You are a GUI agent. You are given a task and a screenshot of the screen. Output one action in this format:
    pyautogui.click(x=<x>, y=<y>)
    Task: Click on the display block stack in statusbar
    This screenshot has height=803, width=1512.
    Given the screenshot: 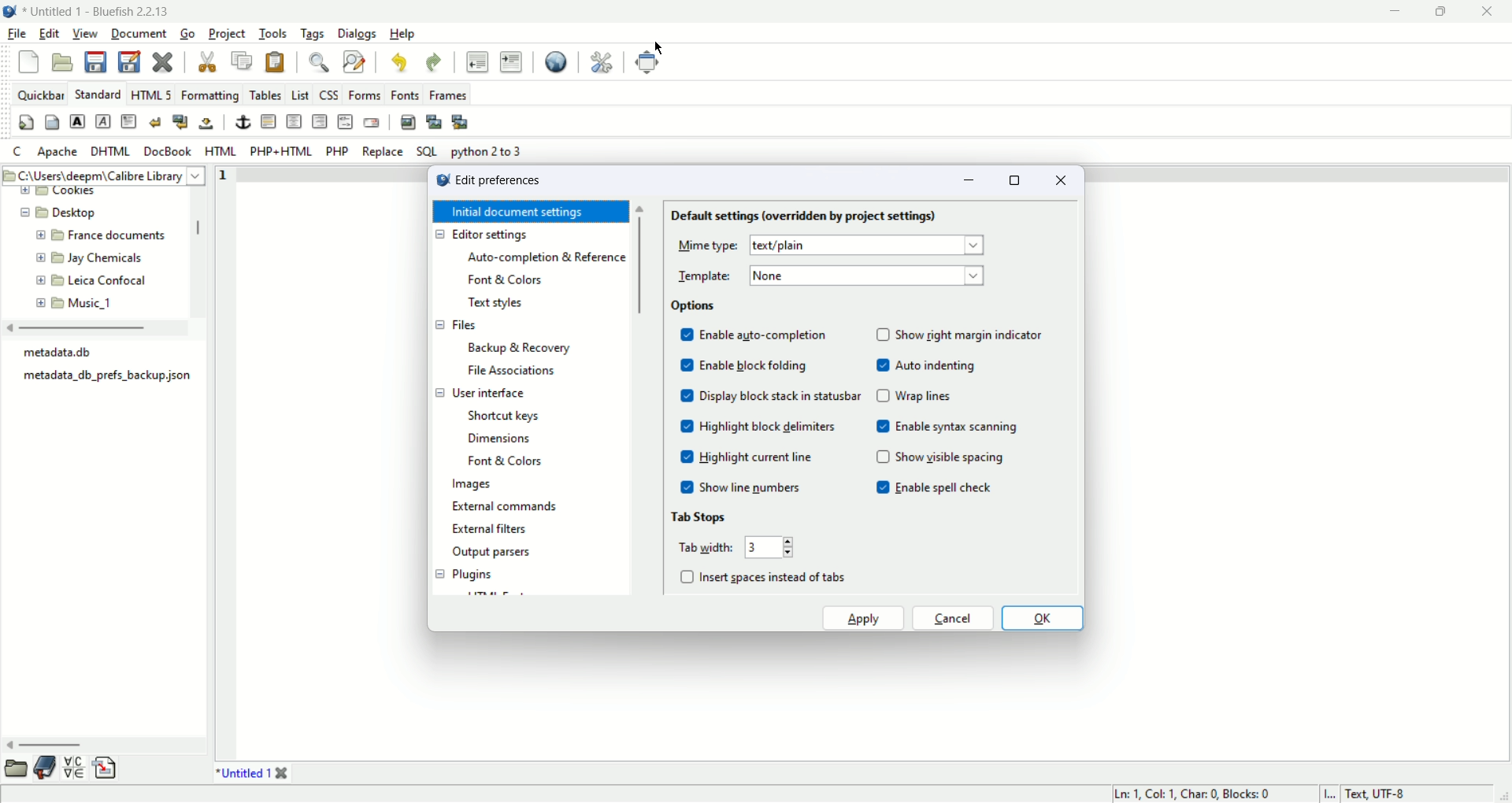 What is the action you would take?
    pyautogui.click(x=781, y=395)
    